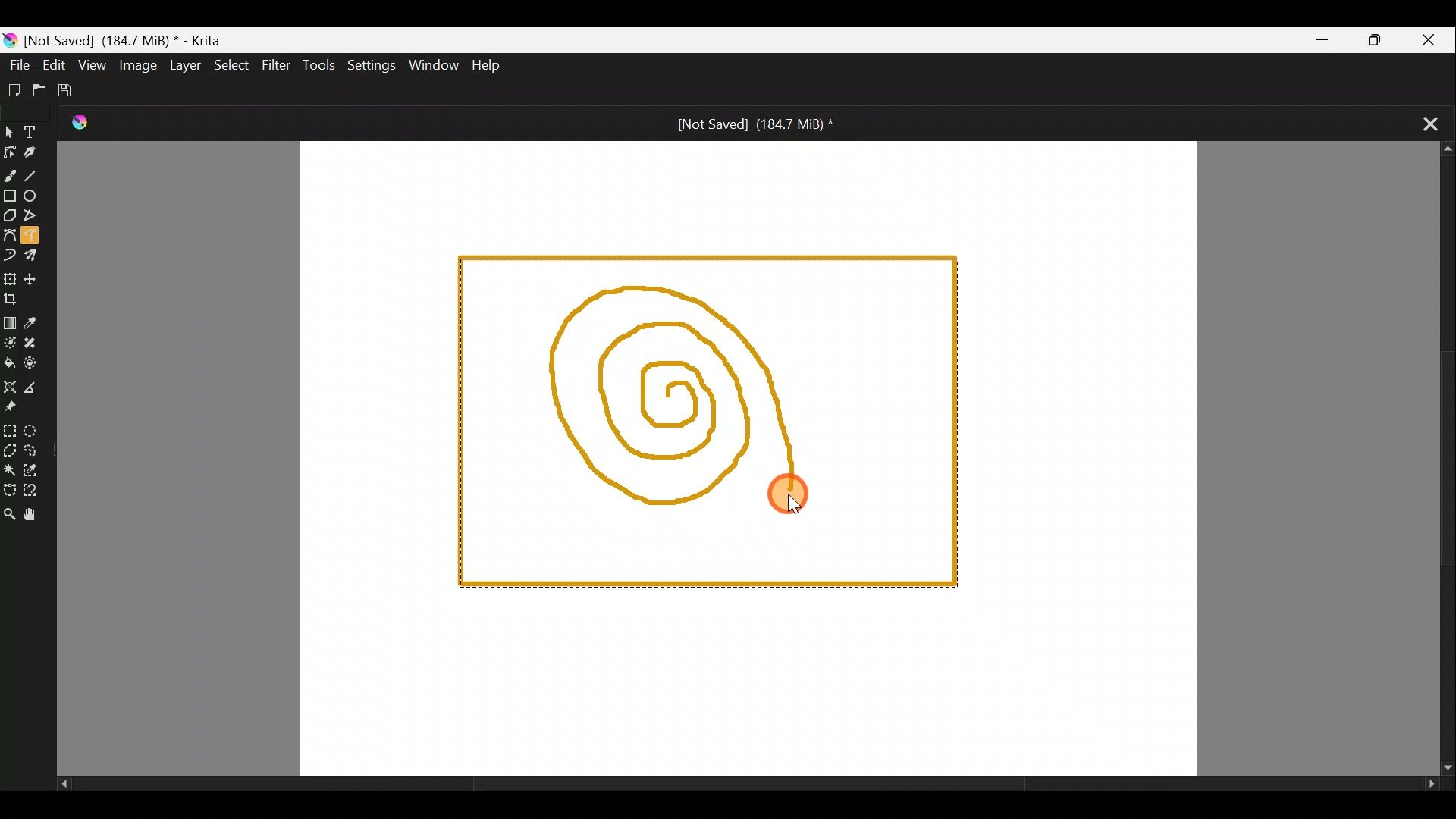 The image size is (1456, 819). Describe the element at coordinates (693, 392) in the screenshot. I see `Spiral shape being drawn on canvas` at that location.